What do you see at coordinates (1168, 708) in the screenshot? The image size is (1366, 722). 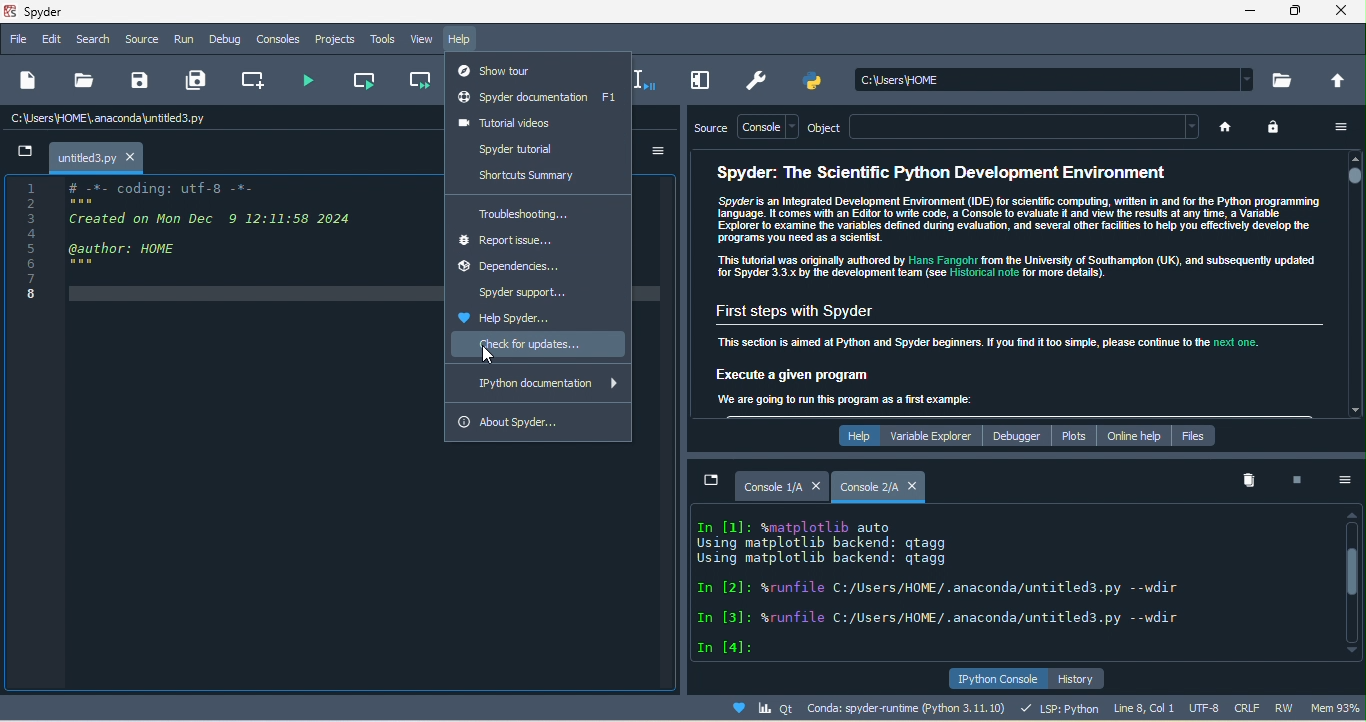 I see `line 8, col 1, utf 8` at bounding box center [1168, 708].